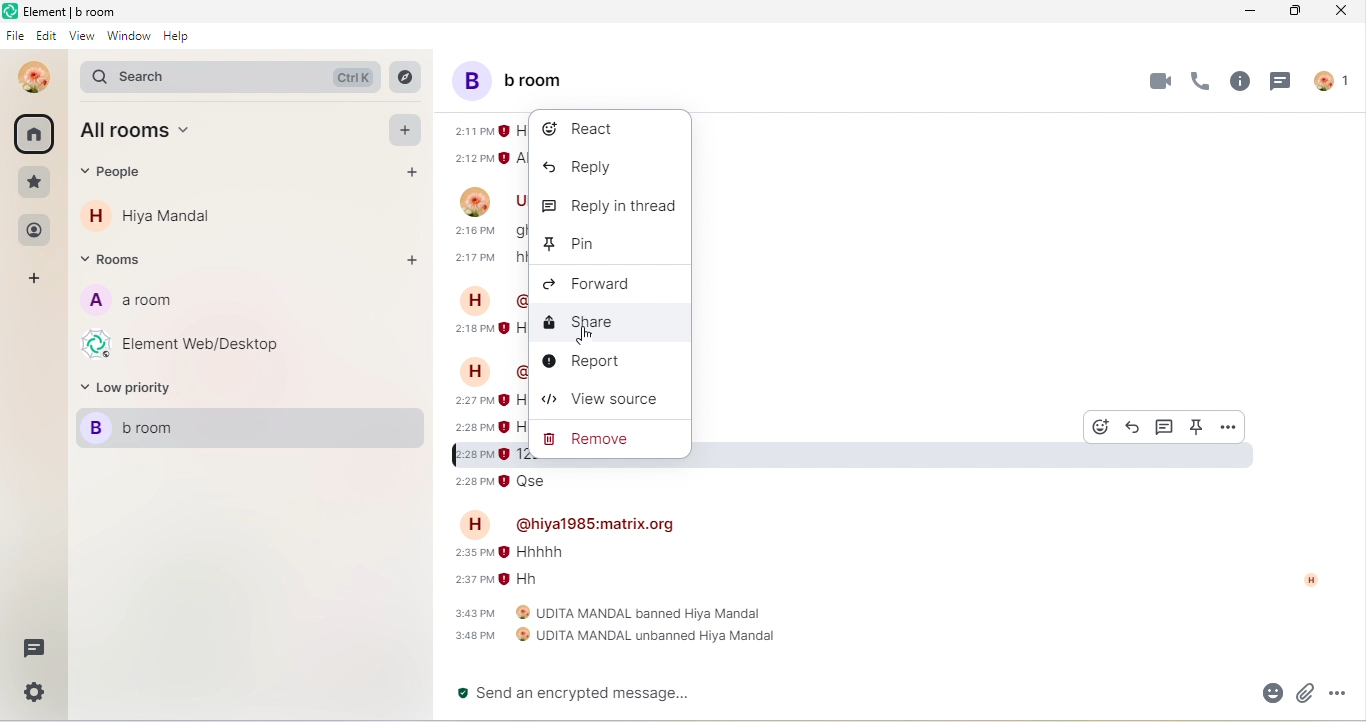 The width and height of the screenshot is (1366, 722). What do you see at coordinates (14, 38) in the screenshot?
I see `file` at bounding box center [14, 38].